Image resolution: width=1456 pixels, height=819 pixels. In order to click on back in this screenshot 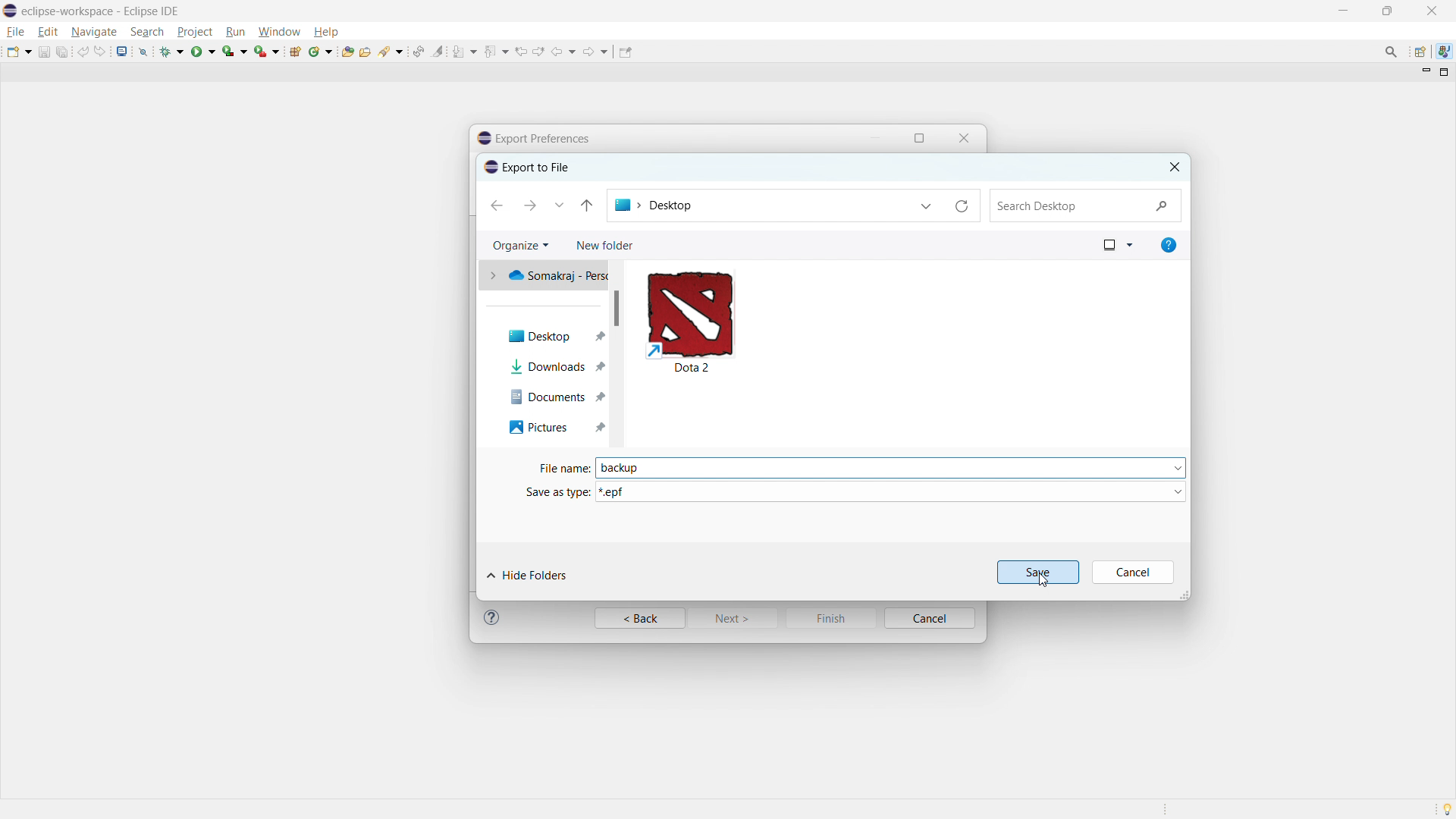, I will do `click(564, 52)`.